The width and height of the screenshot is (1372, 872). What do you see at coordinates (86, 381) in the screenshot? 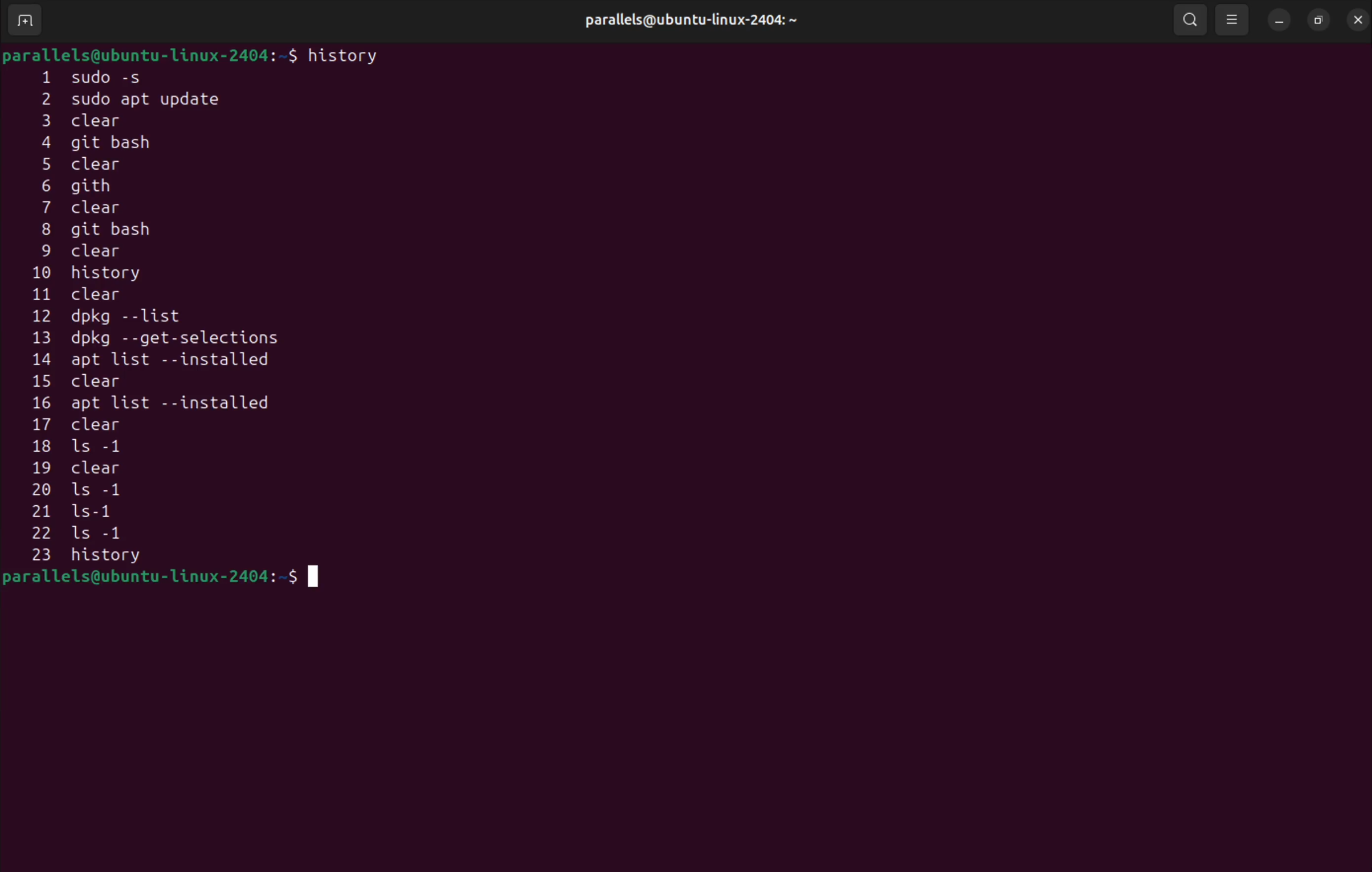
I see `15 clear` at bounding box center [86, 381].